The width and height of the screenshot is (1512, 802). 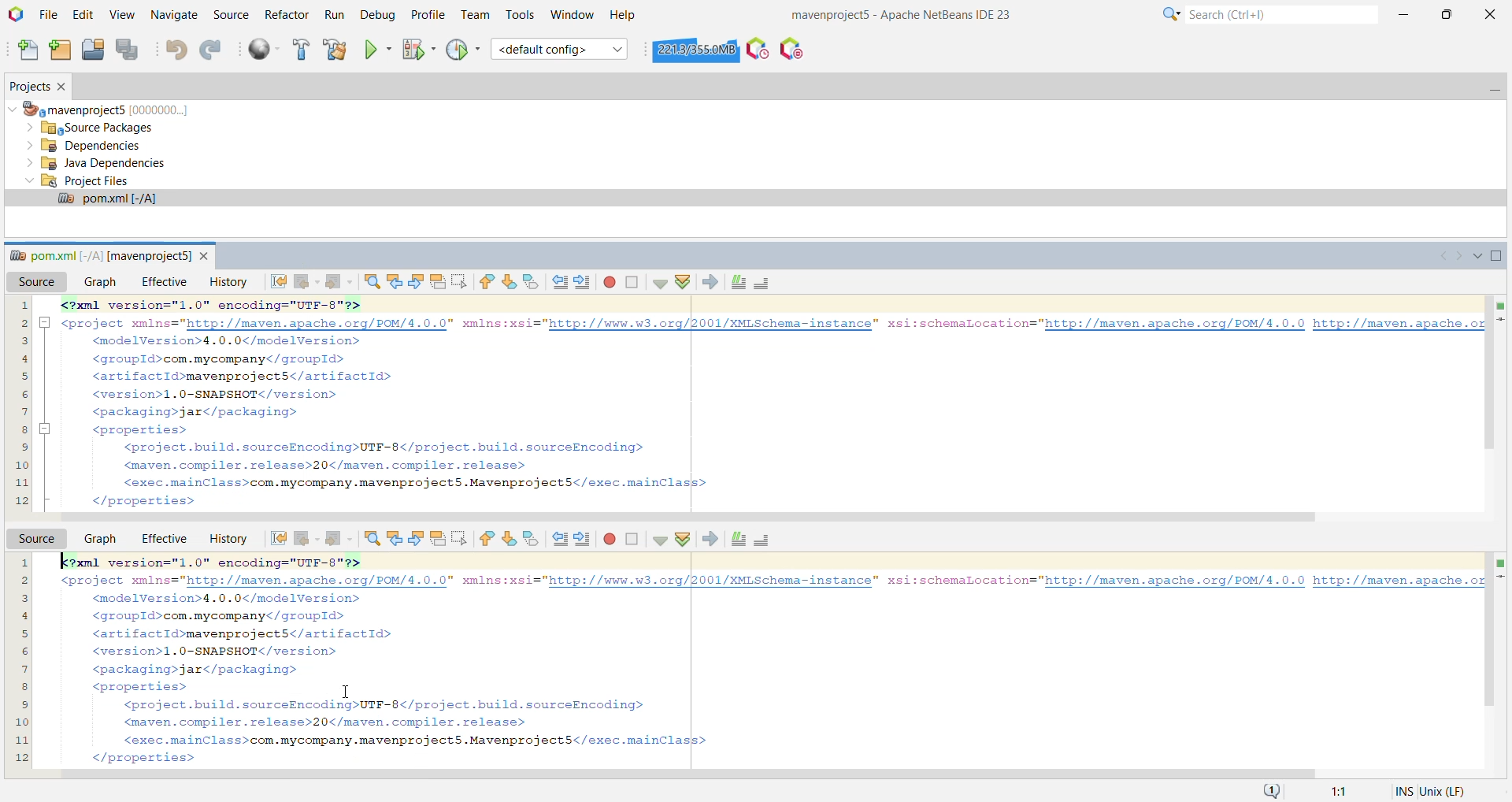 What do you see at coordinates (232, 563) in the screenshot?
I see `k?xml version="1.0" encoding="UTF-8"?>` at bounding box center [232, 563].